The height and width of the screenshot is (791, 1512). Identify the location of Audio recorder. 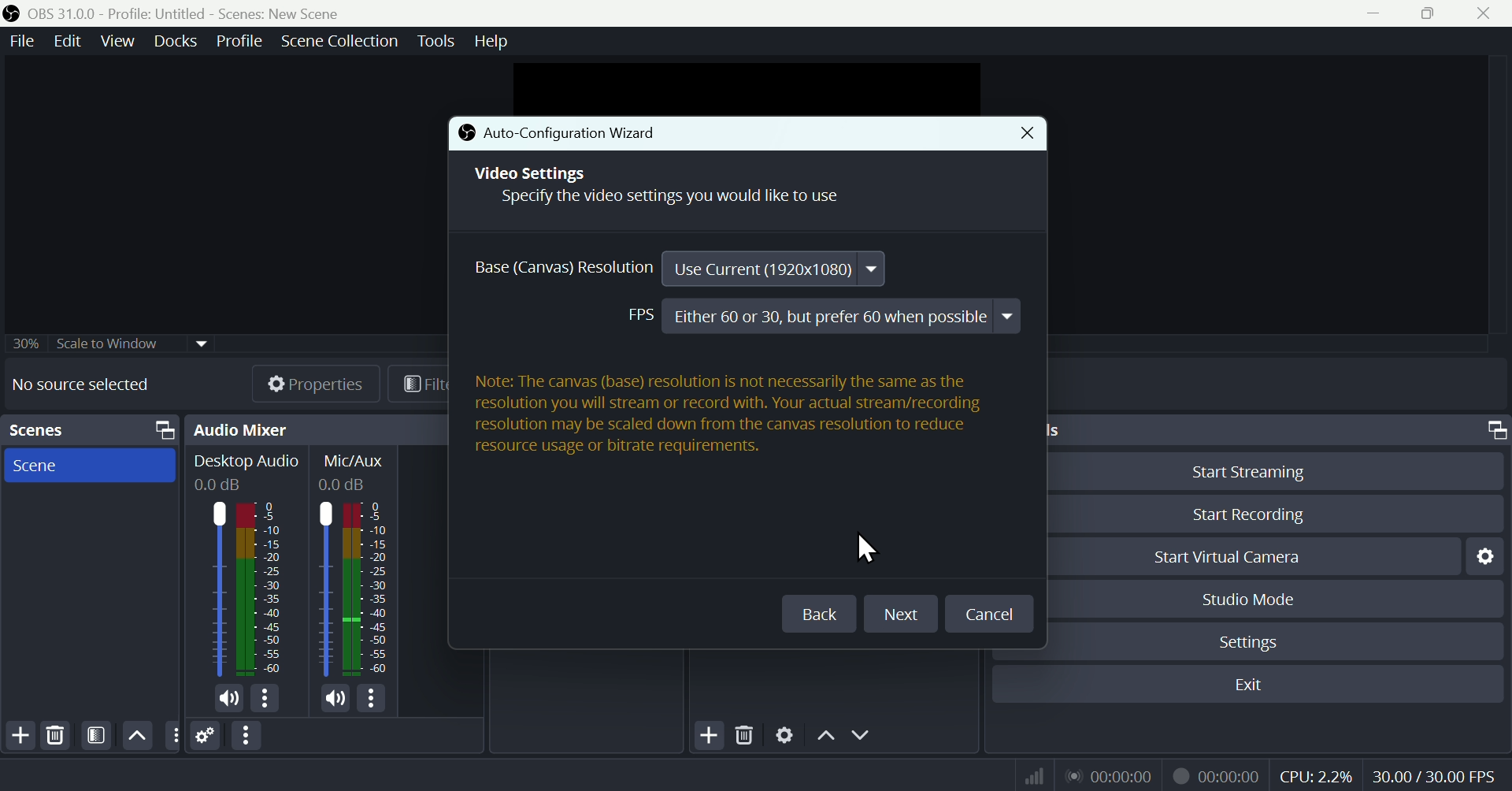
(1108, 775).